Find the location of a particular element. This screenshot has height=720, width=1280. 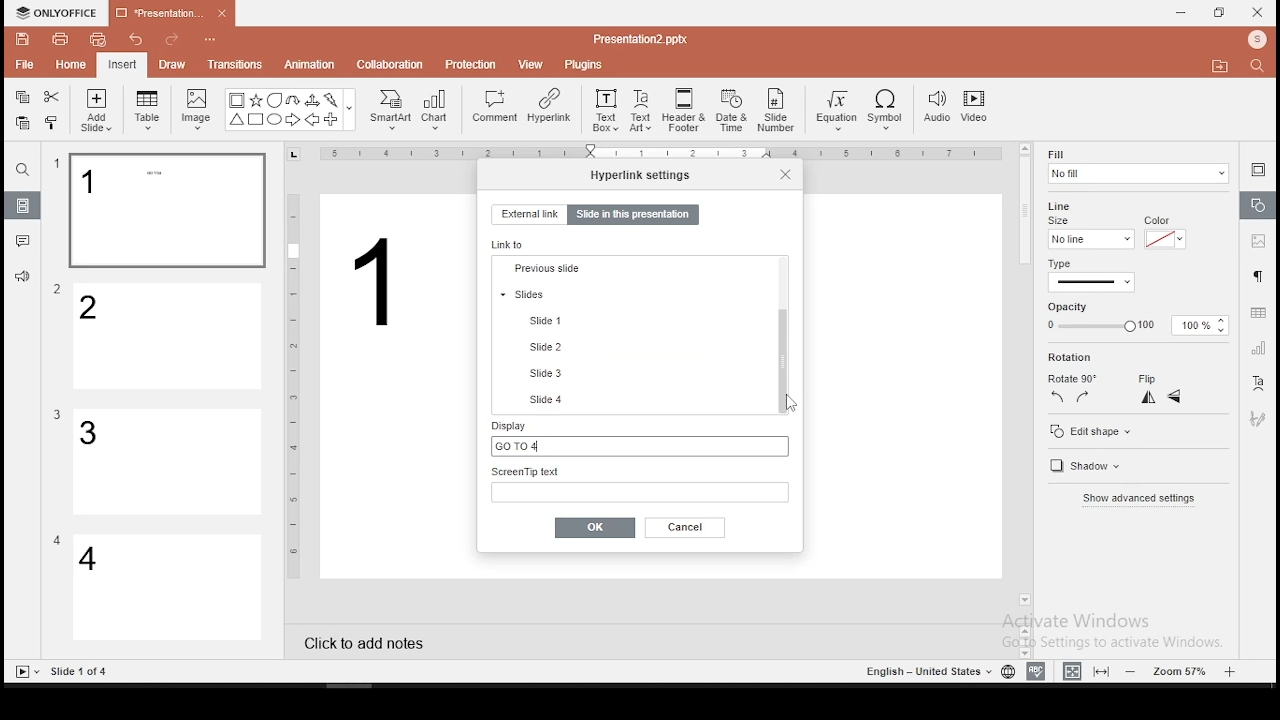

 is located at coordinates (350, 111).